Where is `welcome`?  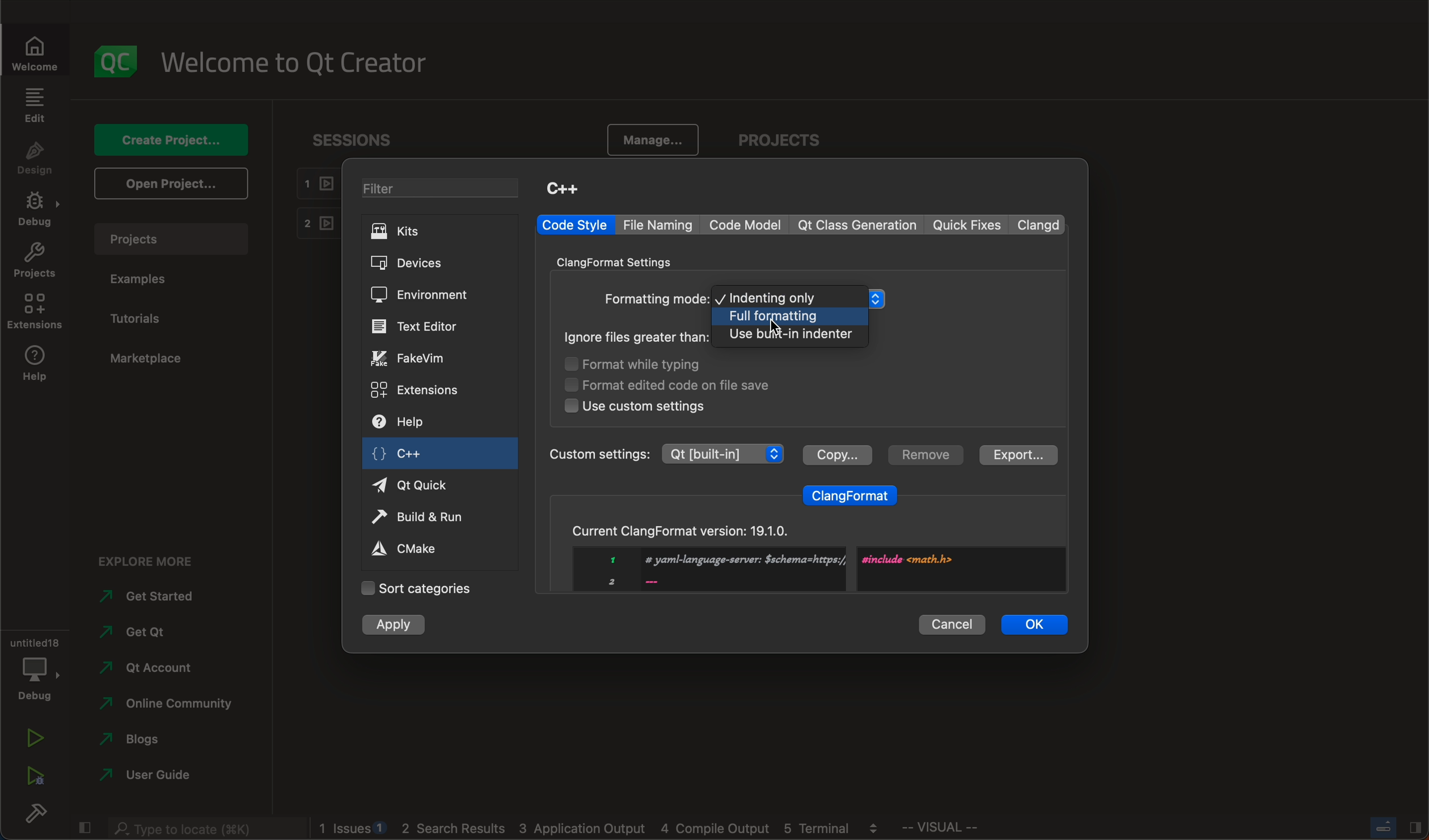
welcome is located at coordinates (41, 52).